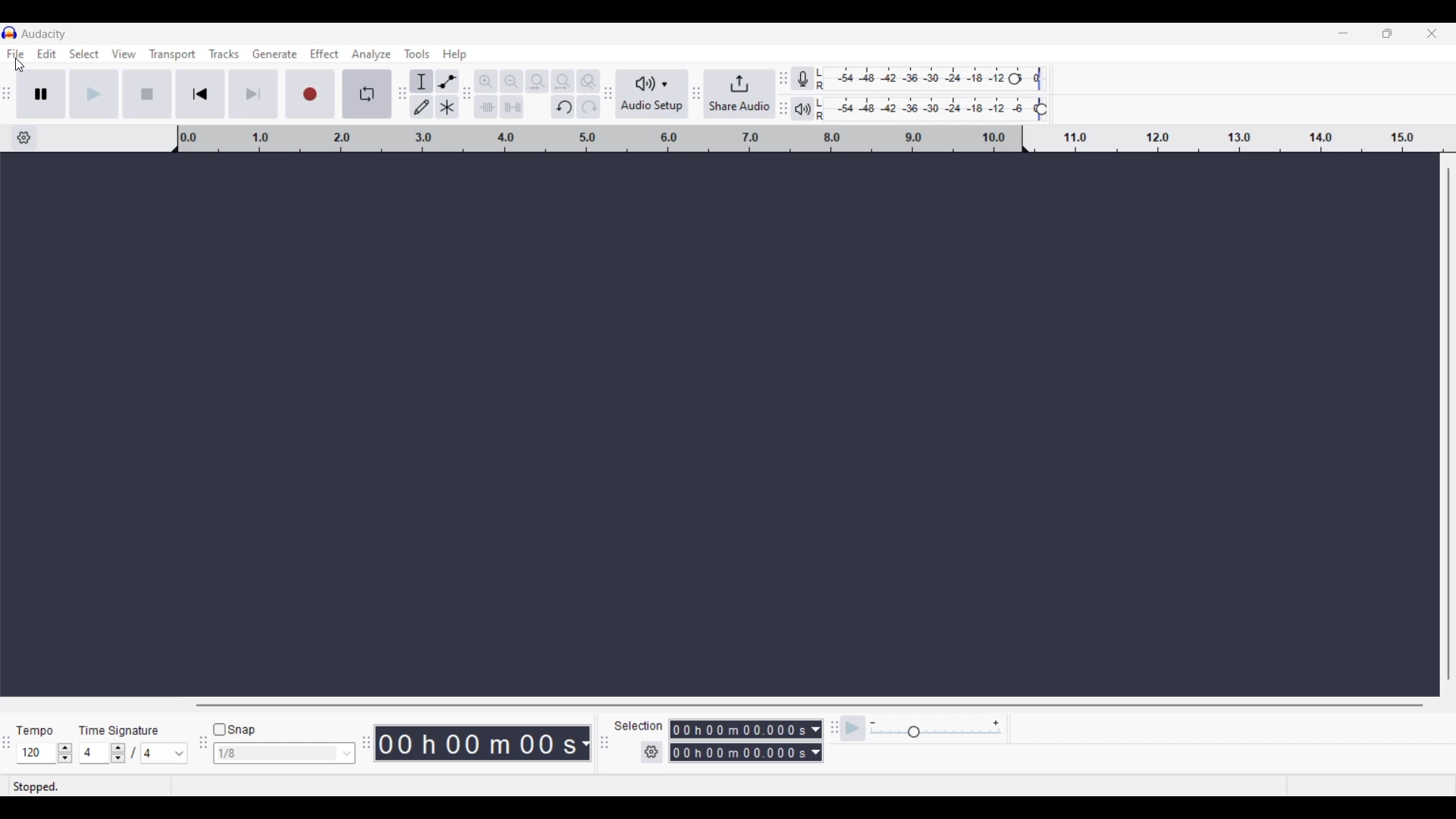 The width and height of the screenshot is (1456, 819). What do you see at coordinates (400, 93) in the screenshot?
I see `tools tool bar` at bounding box center [400, 93].